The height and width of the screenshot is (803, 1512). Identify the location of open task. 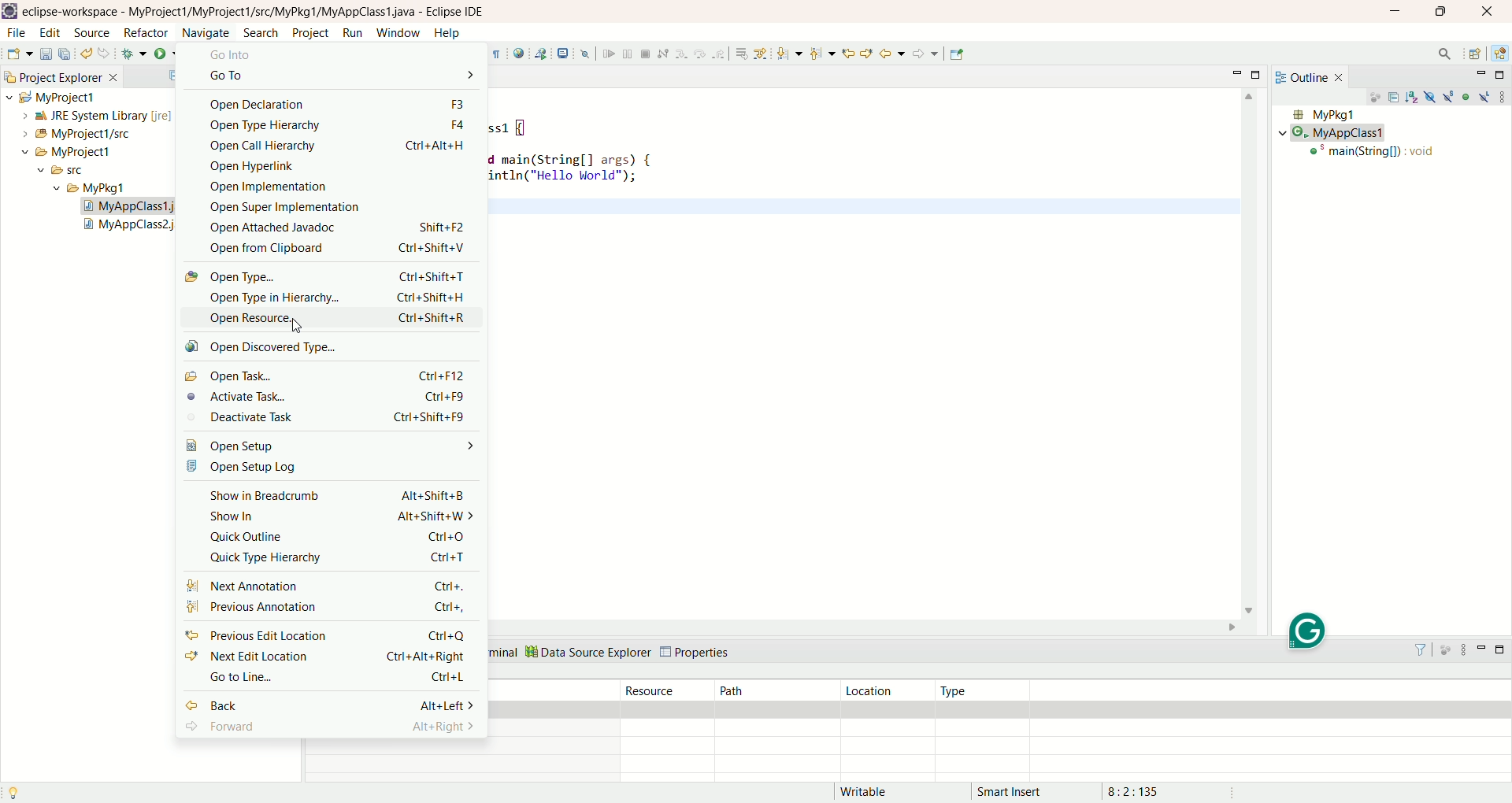
(325, 375).